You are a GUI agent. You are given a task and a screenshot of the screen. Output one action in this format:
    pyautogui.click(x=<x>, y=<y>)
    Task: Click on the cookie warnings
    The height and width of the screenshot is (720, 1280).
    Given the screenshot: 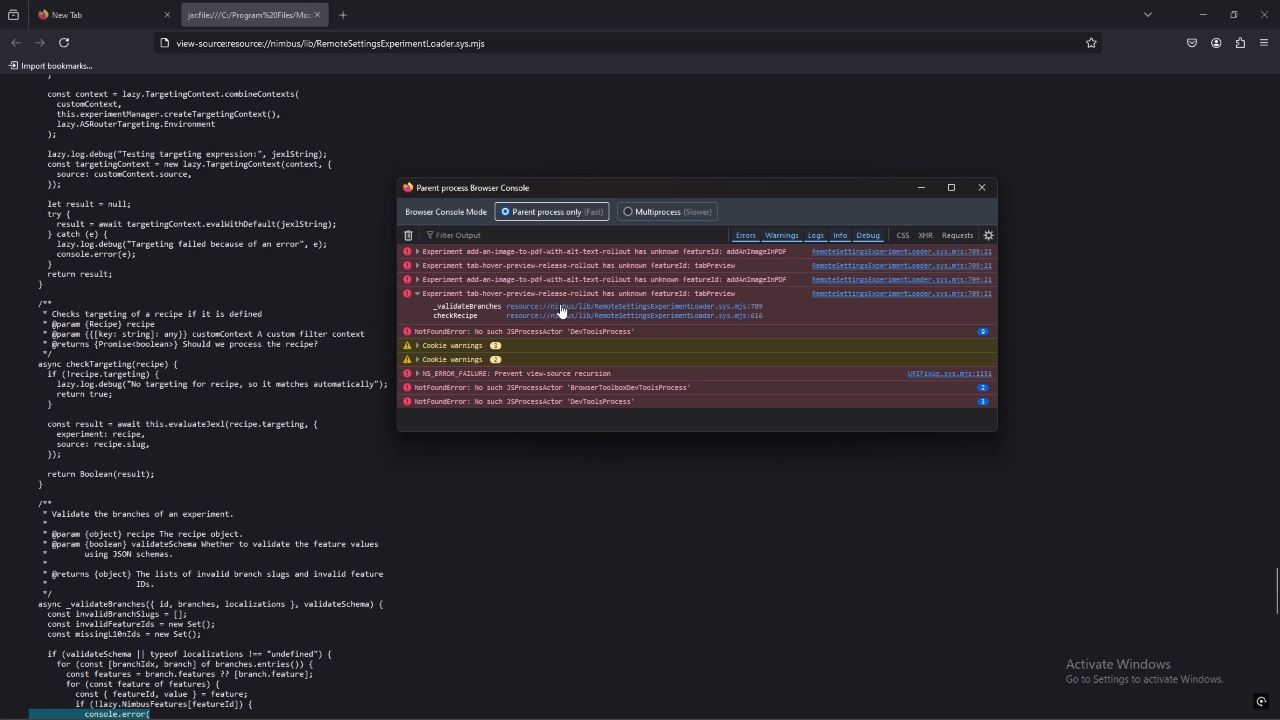 What is the action you would take?
    pyautogui.click(x=587, y=346)
    